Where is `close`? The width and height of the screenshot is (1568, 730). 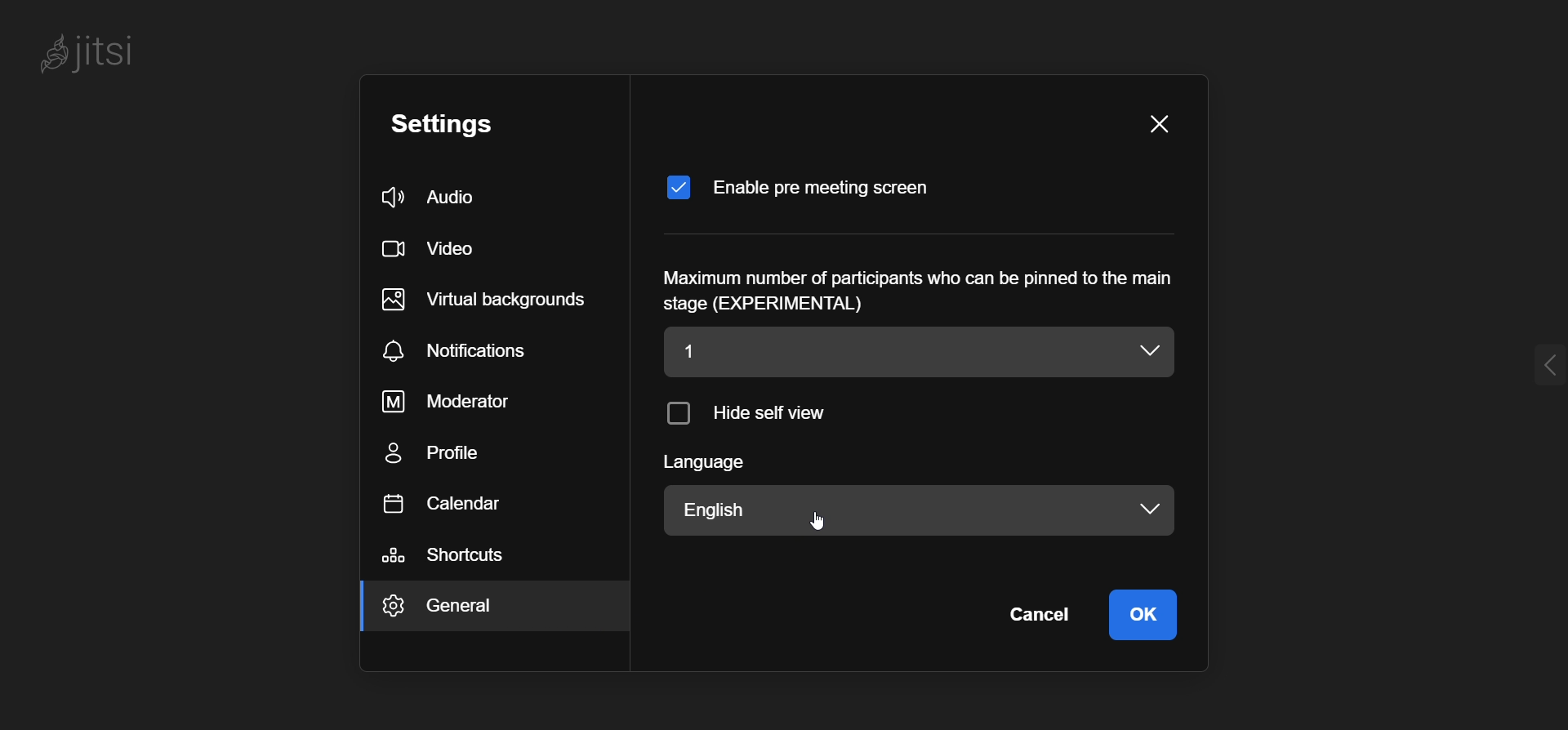 close is located at coordinates (1158, 127).